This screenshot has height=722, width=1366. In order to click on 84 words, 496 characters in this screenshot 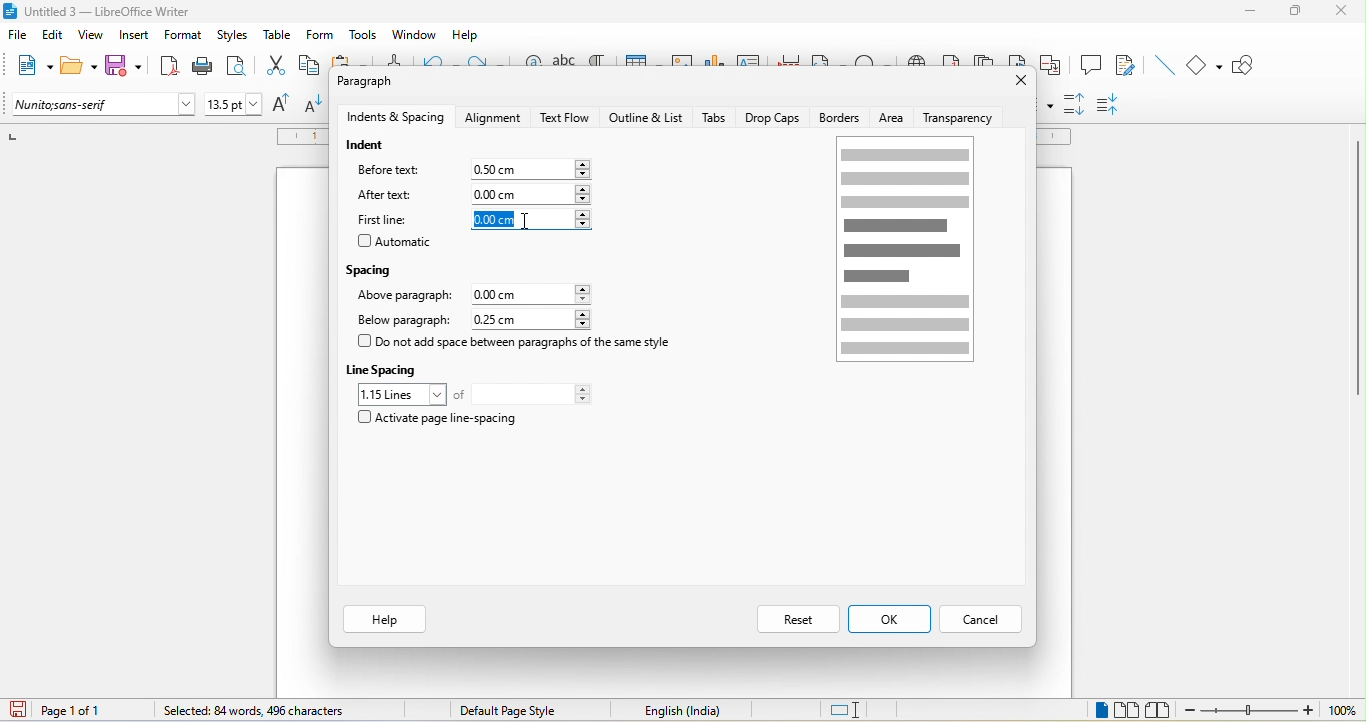, I will do `click(251, 712)`.